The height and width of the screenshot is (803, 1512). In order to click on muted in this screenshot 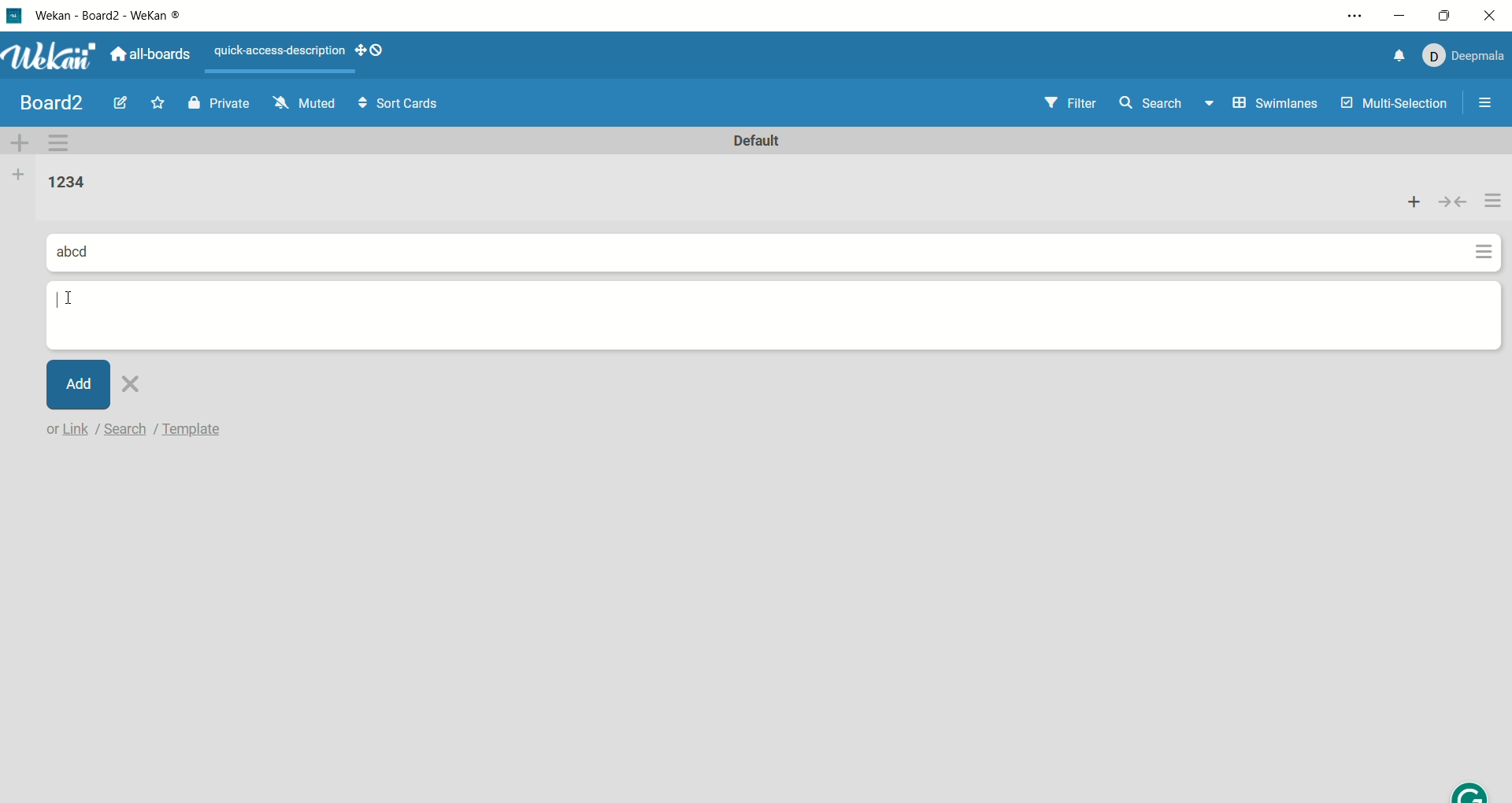, I will do `click(310, 102)`.